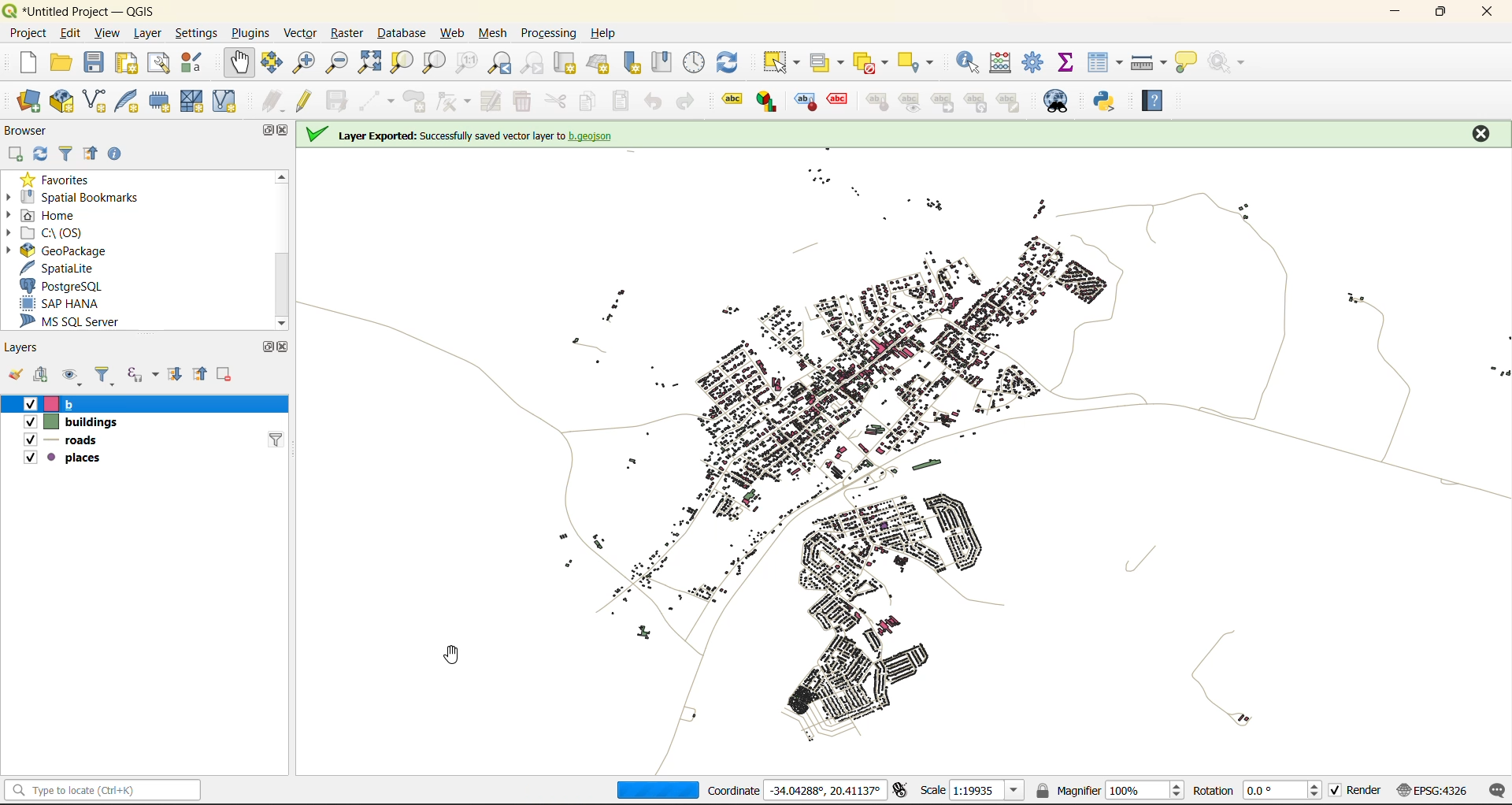 The image size is (1512, 805). Describe the element at coordinates (537, 62) in the screenshot. I see `zoom next` at that location.